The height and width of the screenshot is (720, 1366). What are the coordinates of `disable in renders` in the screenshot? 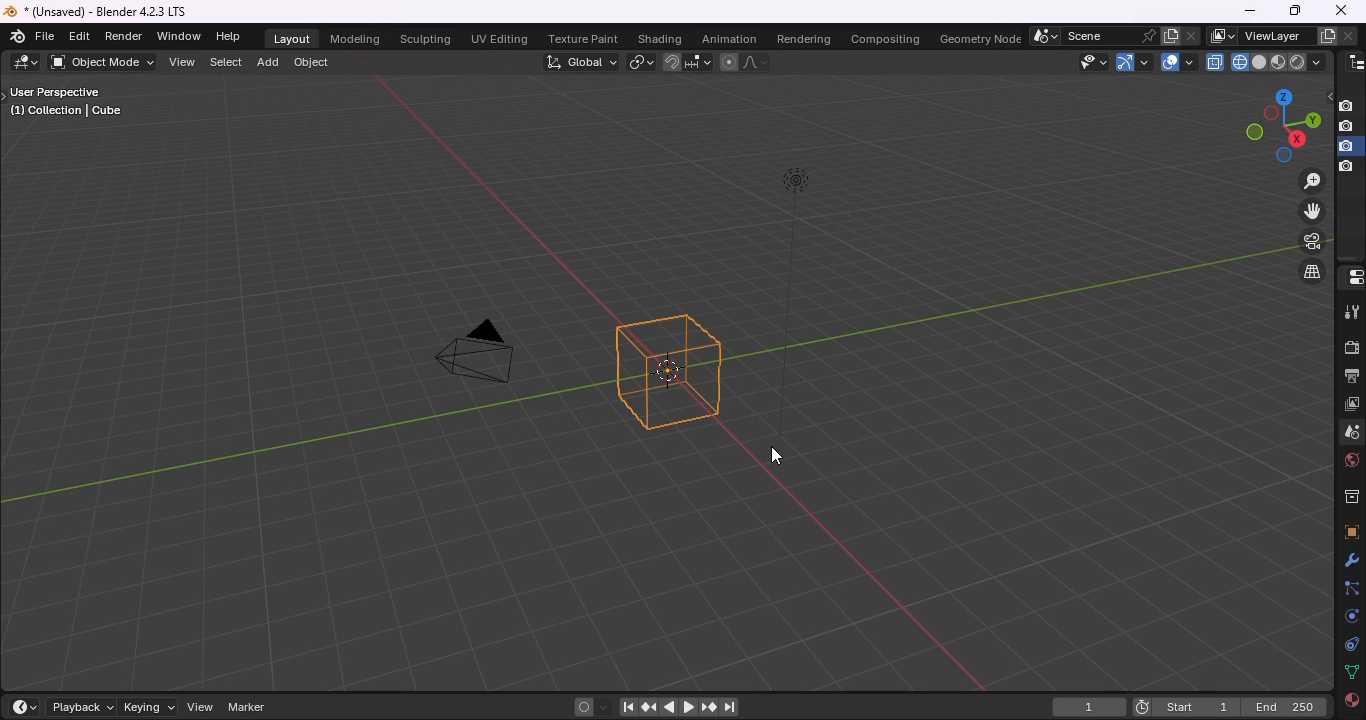 It's located at (1349, 168).